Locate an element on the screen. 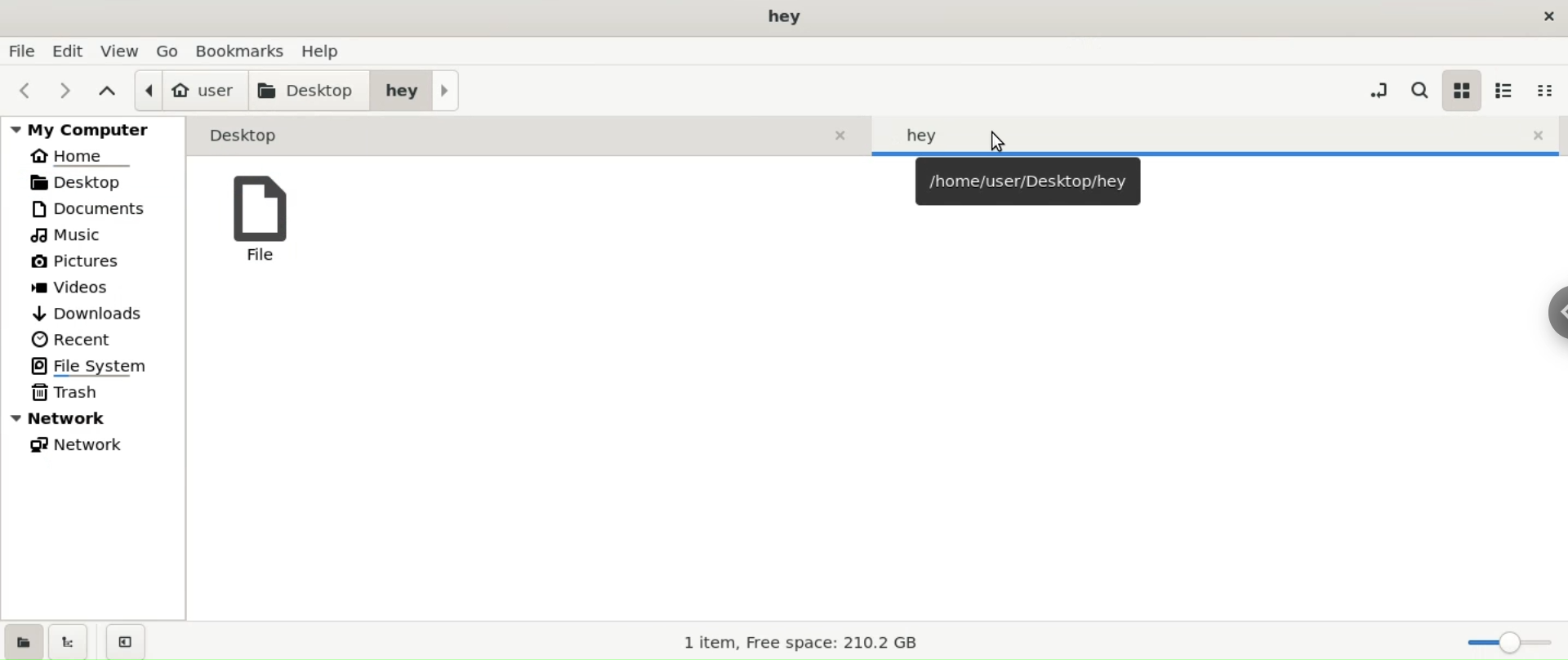  show treeview is located at coordinates (71, 640).